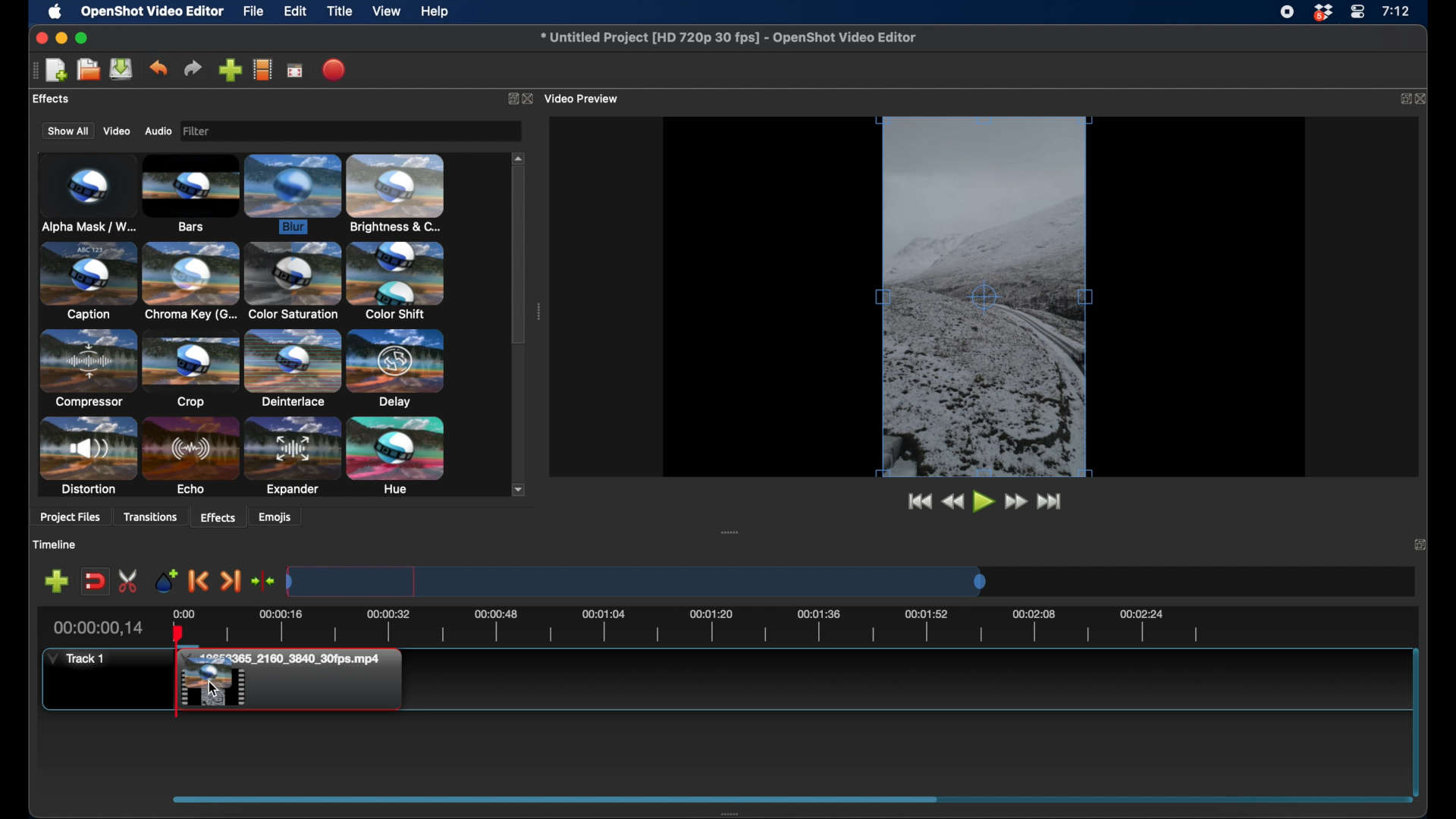 This screenshot has height=819, width=1456. I want to click on effects, so click(218, 516).